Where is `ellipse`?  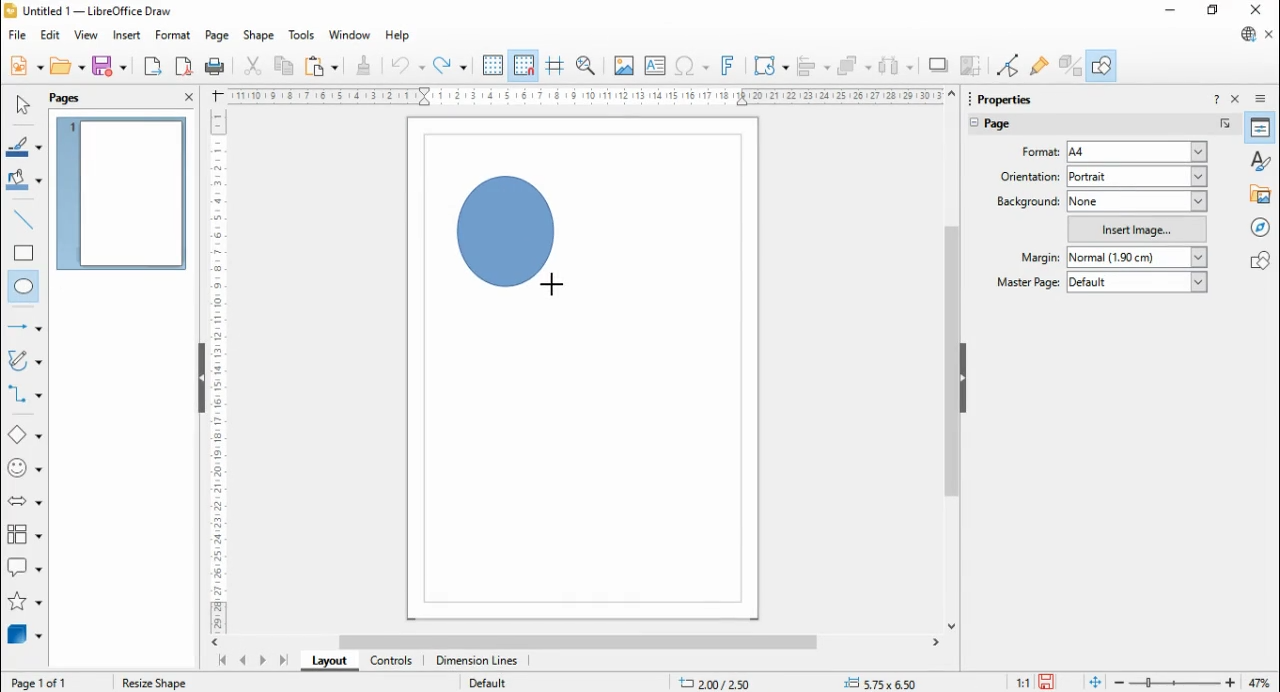
ellipse is located at coordinates (25, 288).